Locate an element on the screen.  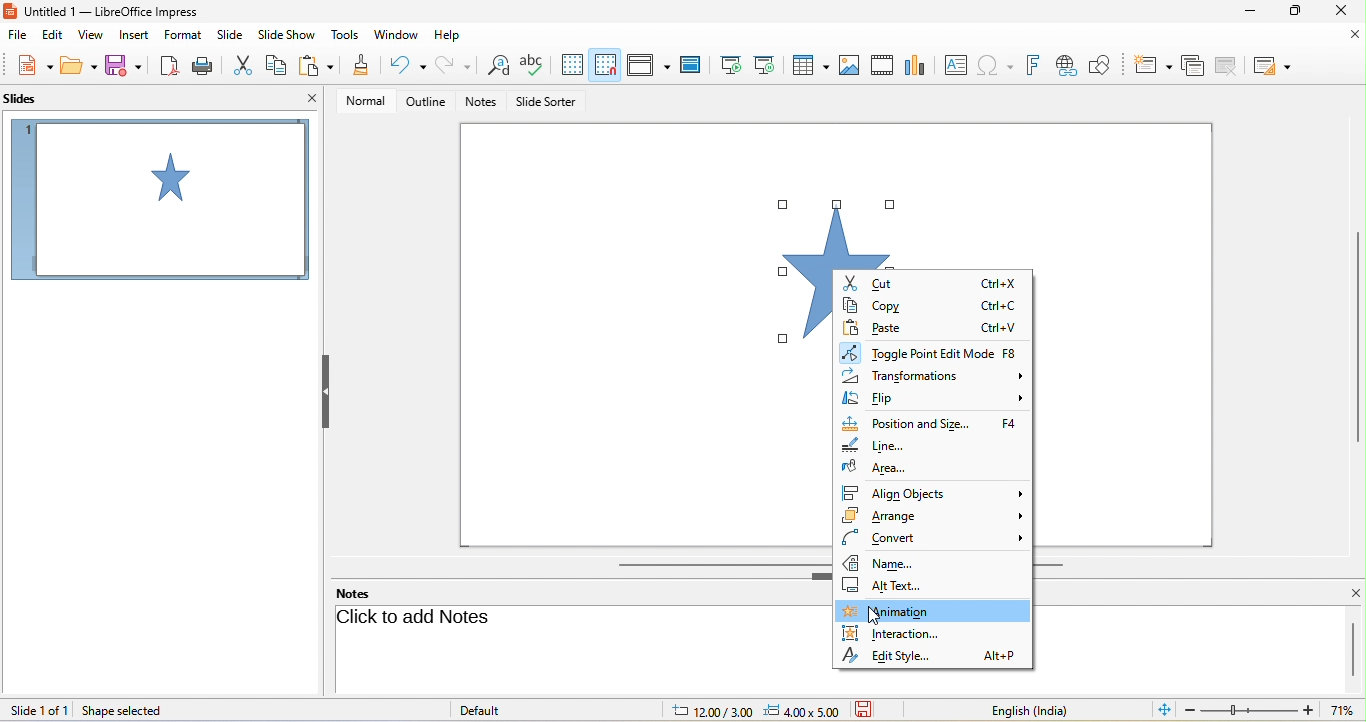
line is located at coordinates (882, 445).